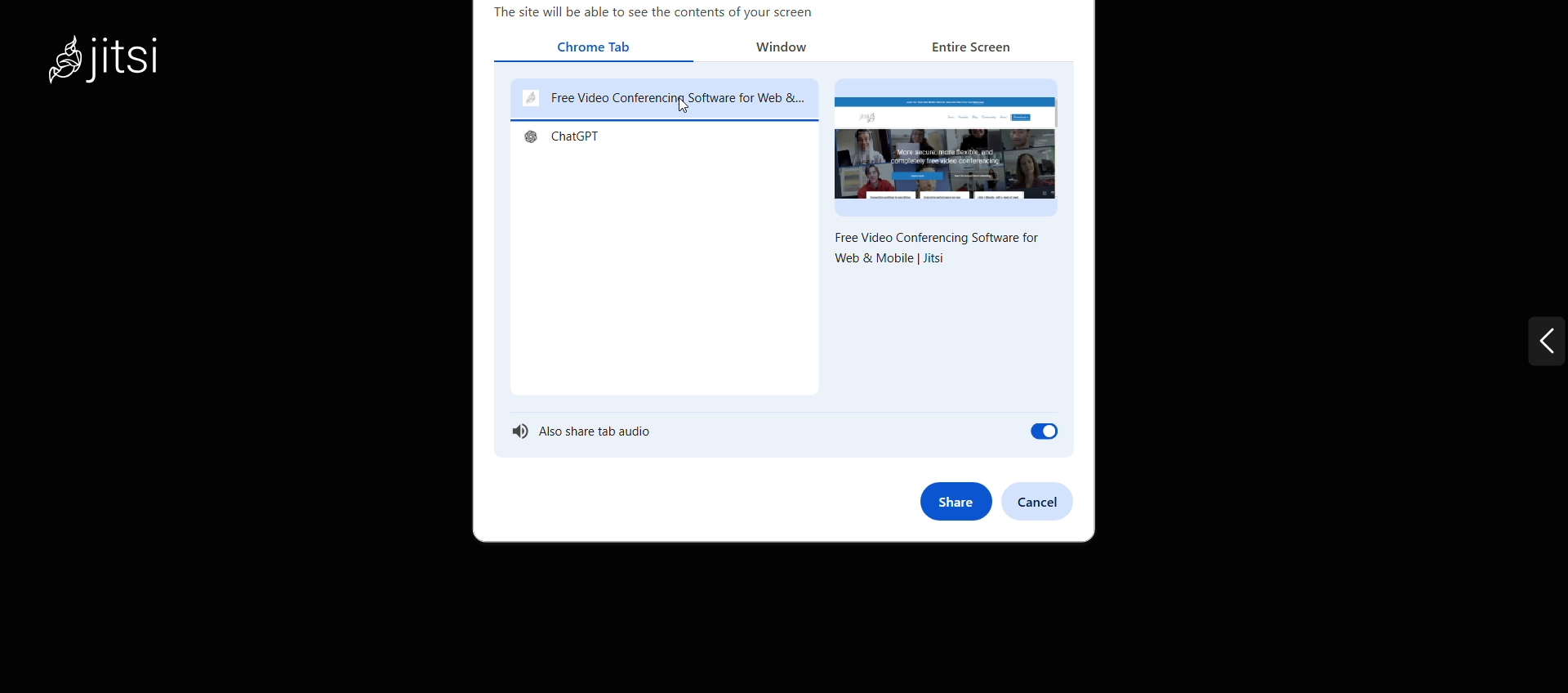 Image resolution: width=1568 pixels, height=693 pixels. What do you see at coordinates (937, 253) in the screenshot?
I see `Free Video Conferencing Software for
Web & Mobile | tsi` at bounding box center [937, 253].